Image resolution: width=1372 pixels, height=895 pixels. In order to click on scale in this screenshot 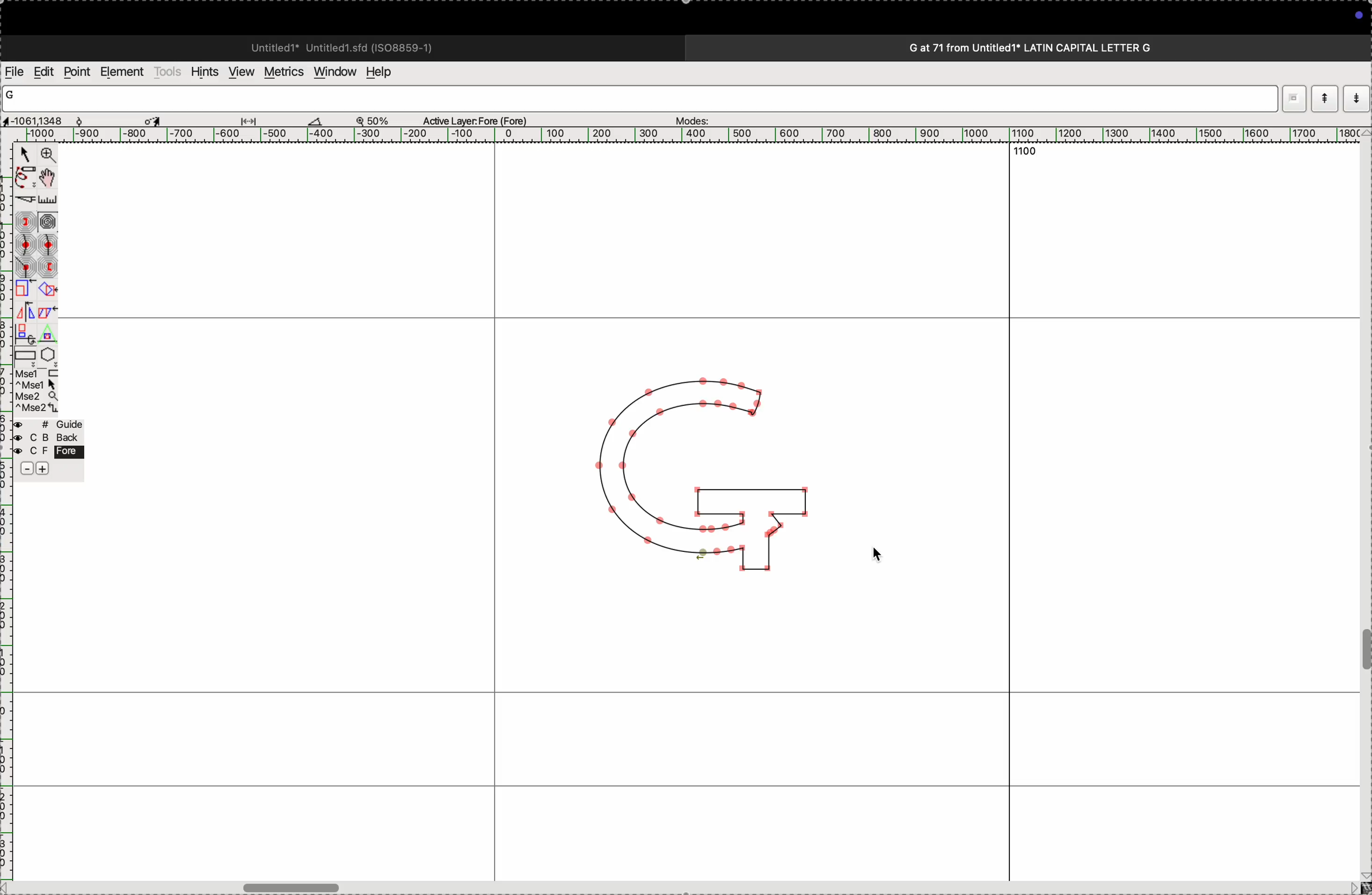, I will do `click(25, 289)`.